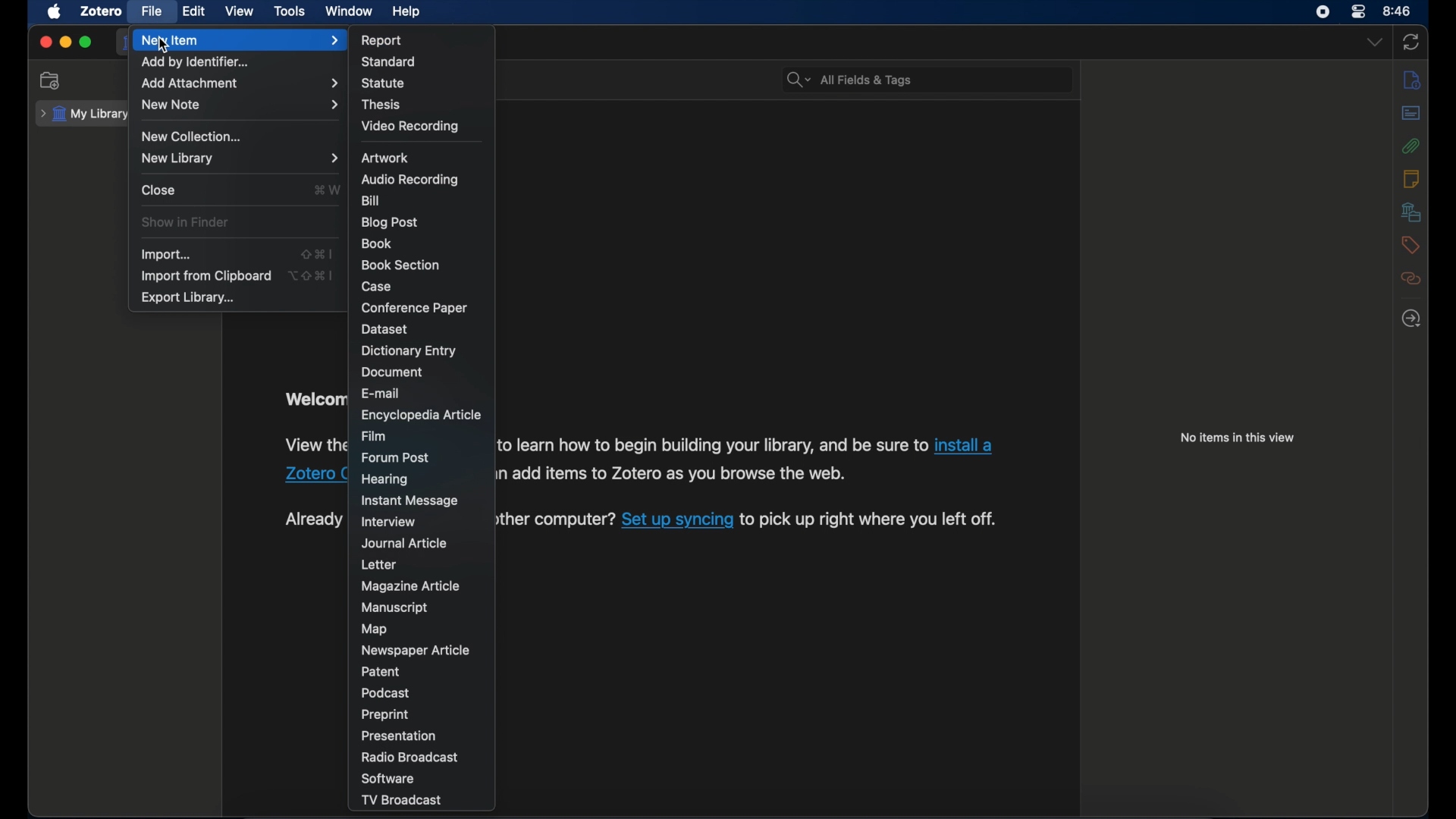 The image size is (1456, 819). What do you see at coordinates (240, 105) in the screenshot?
I see `new note` at bounding box center [240, 105].